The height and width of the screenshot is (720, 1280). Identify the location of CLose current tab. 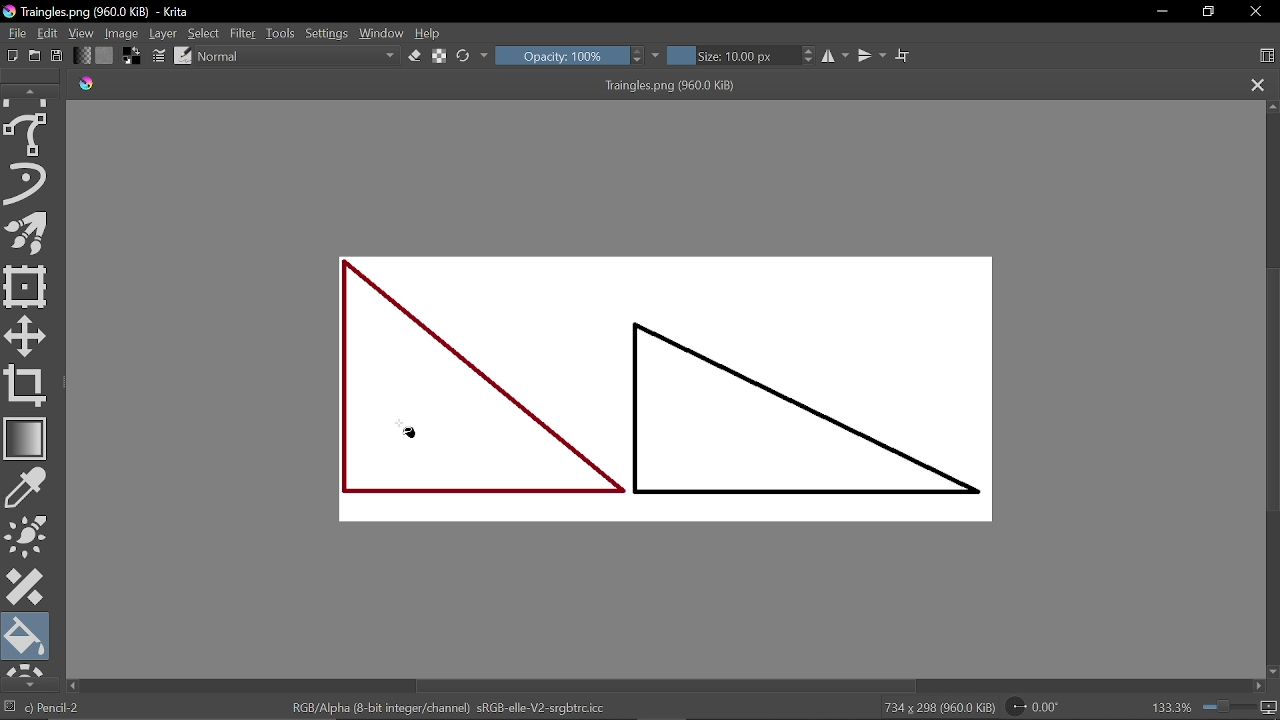
(1258, 86).